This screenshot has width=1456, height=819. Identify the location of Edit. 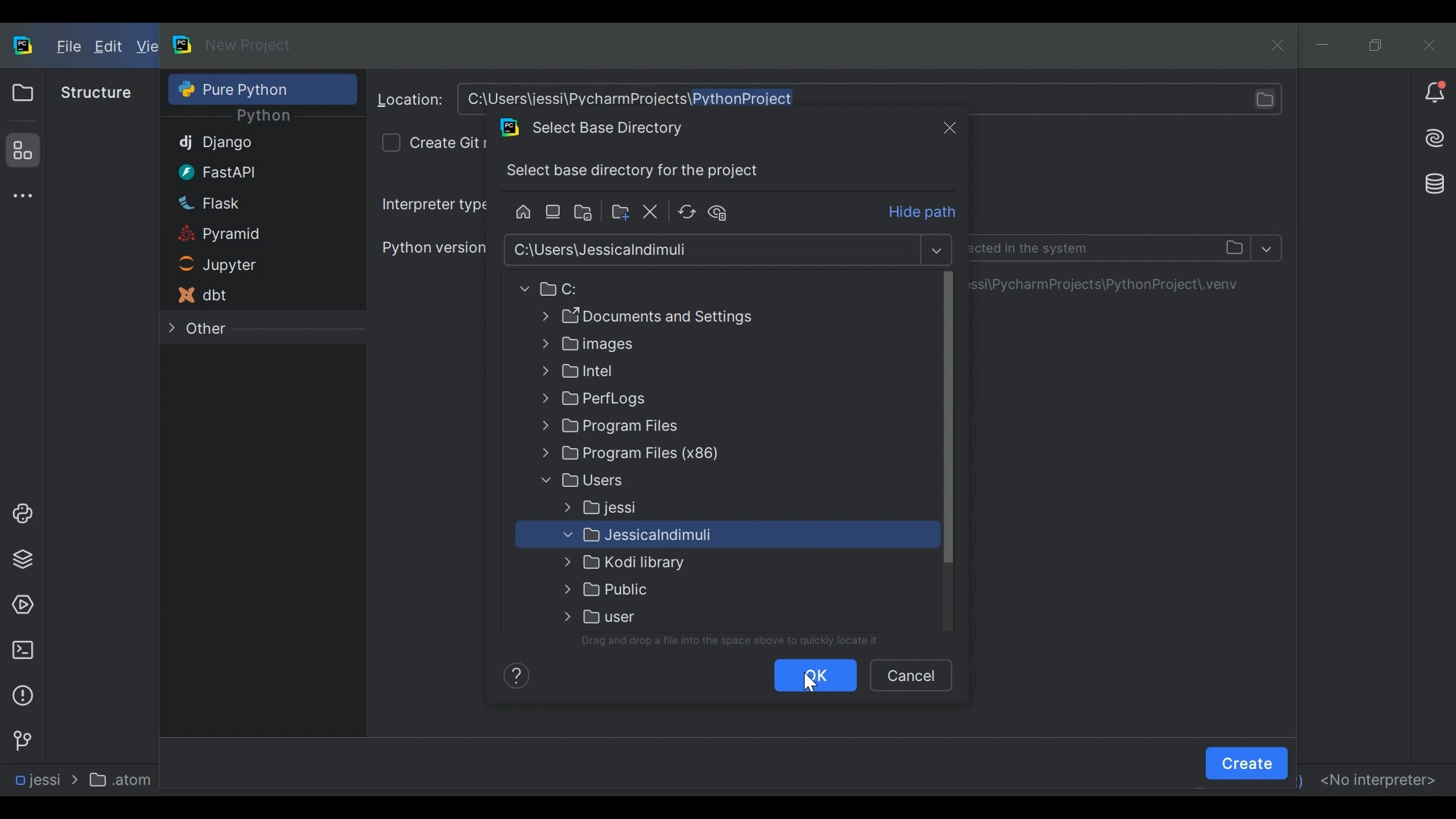
(110, 48).